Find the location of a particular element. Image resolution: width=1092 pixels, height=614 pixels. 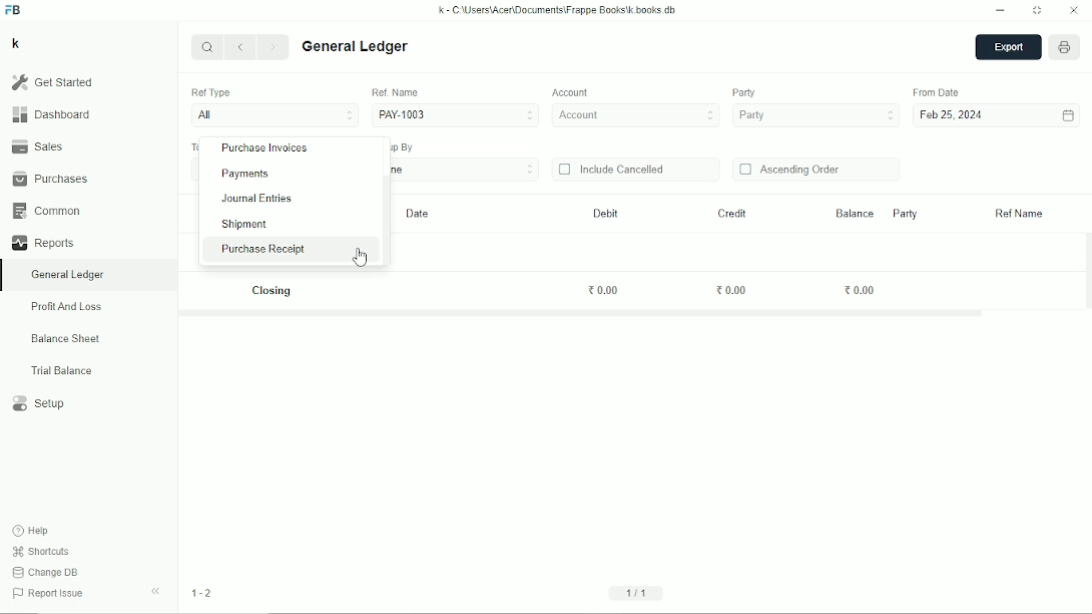

Payments is located at coordinates (246, 174).